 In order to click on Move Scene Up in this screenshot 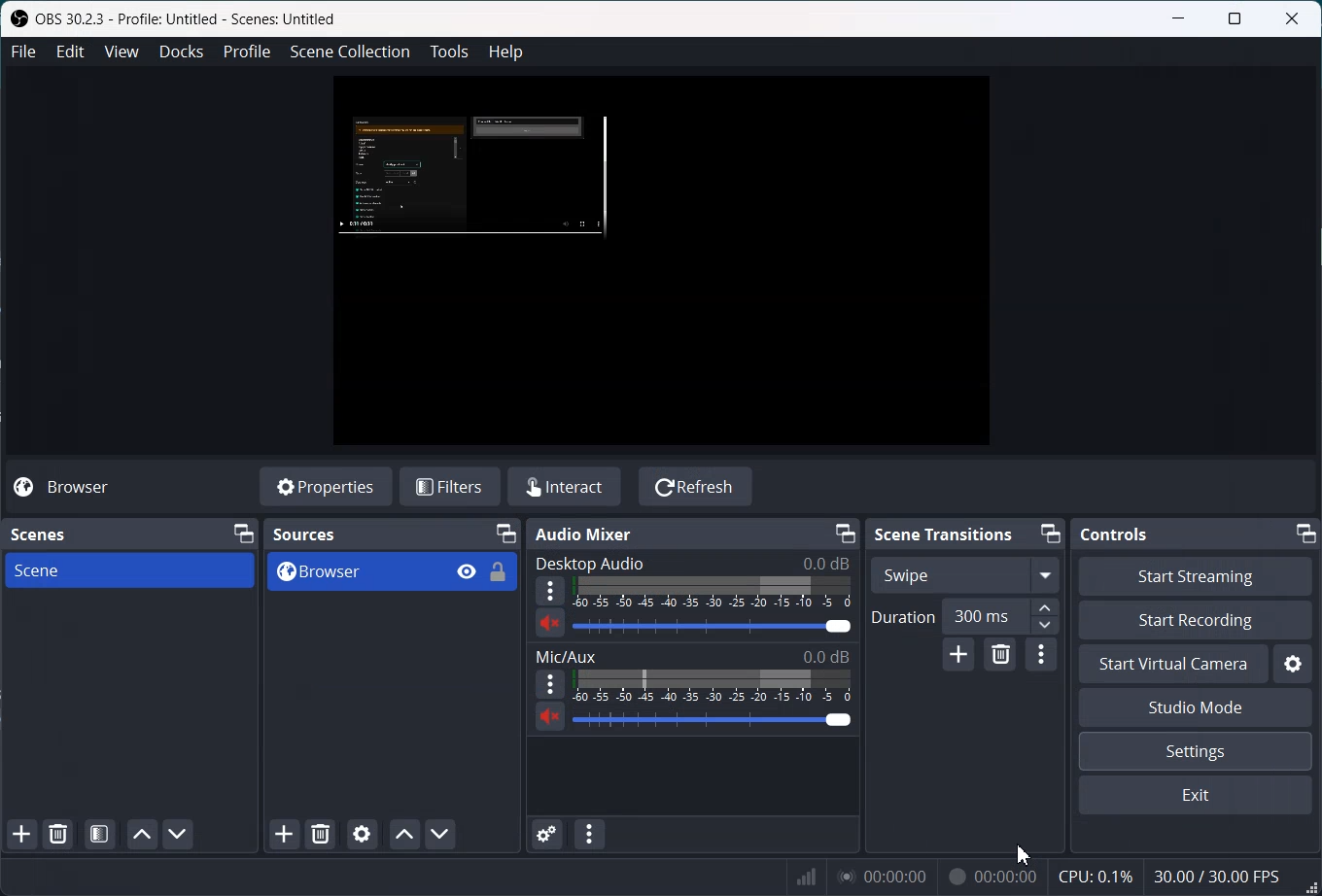, I will do `click(140, 834)`.